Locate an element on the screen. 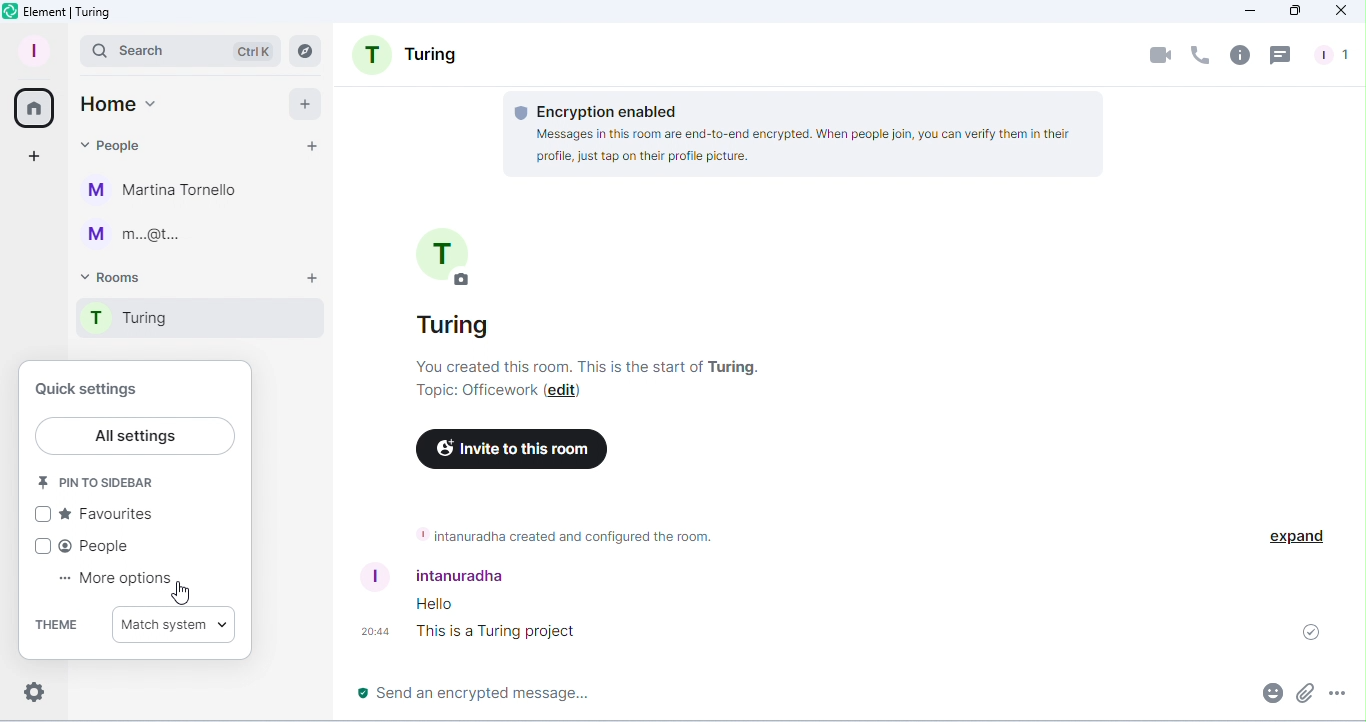 This screenshot has width=1366, height=722. PIN to sidebar is located at coordinates (98, 480).